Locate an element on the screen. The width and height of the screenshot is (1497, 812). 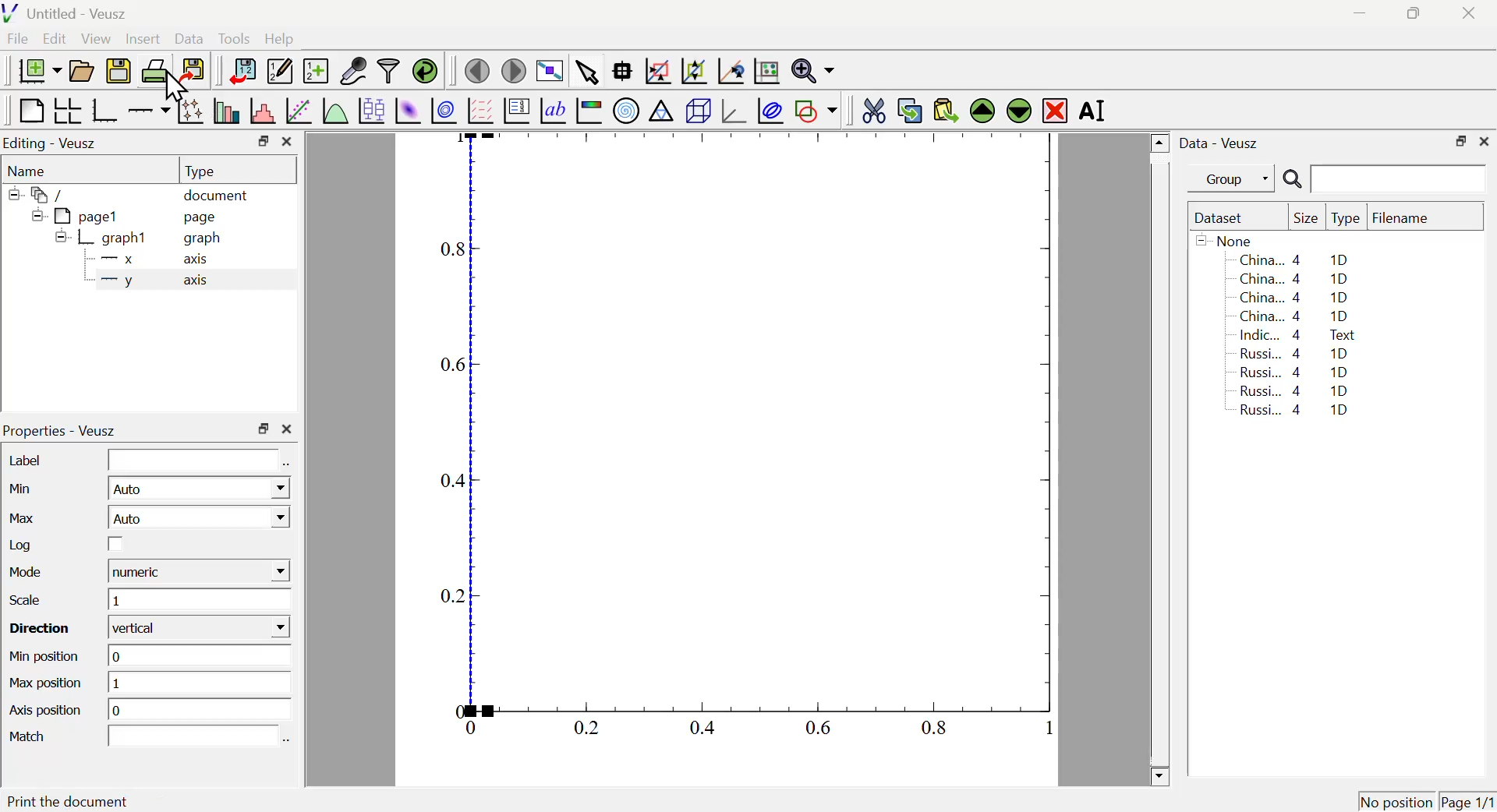
X axis is located at coordinates (147, 259).